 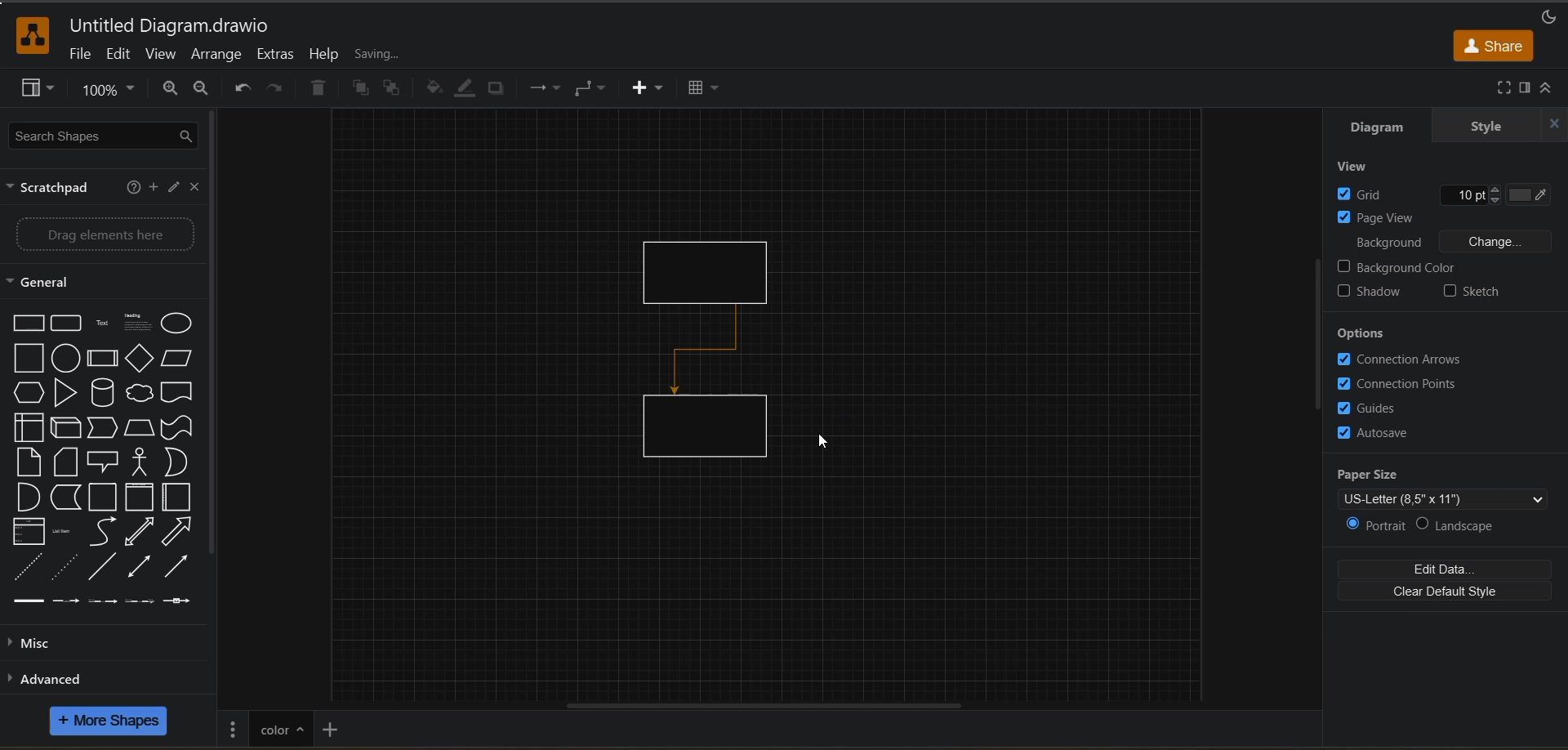 I want to click on add, so click(x=153, y=187).